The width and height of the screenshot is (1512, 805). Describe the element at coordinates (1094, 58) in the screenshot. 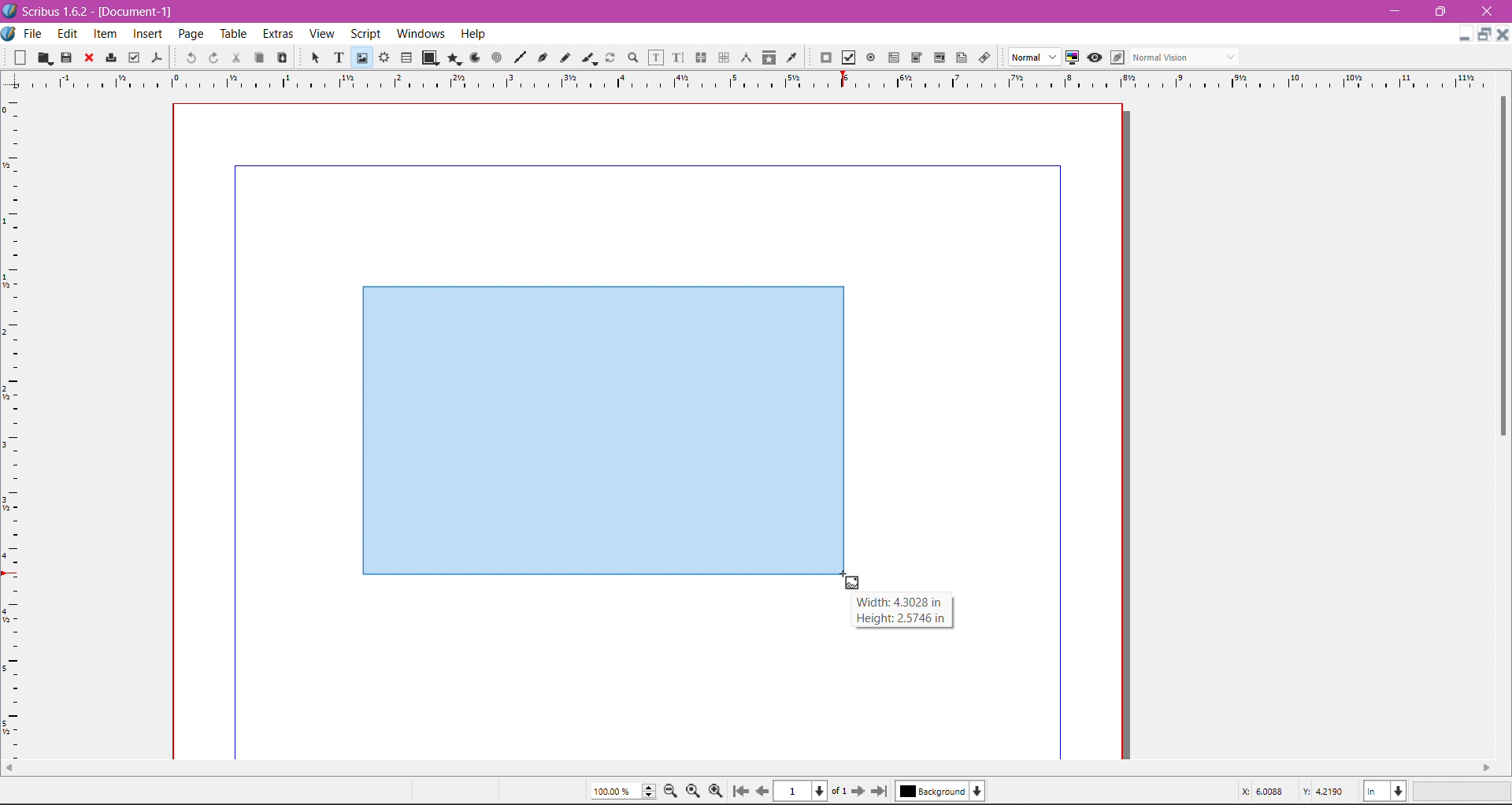

I see `Preview Mode` at that location.